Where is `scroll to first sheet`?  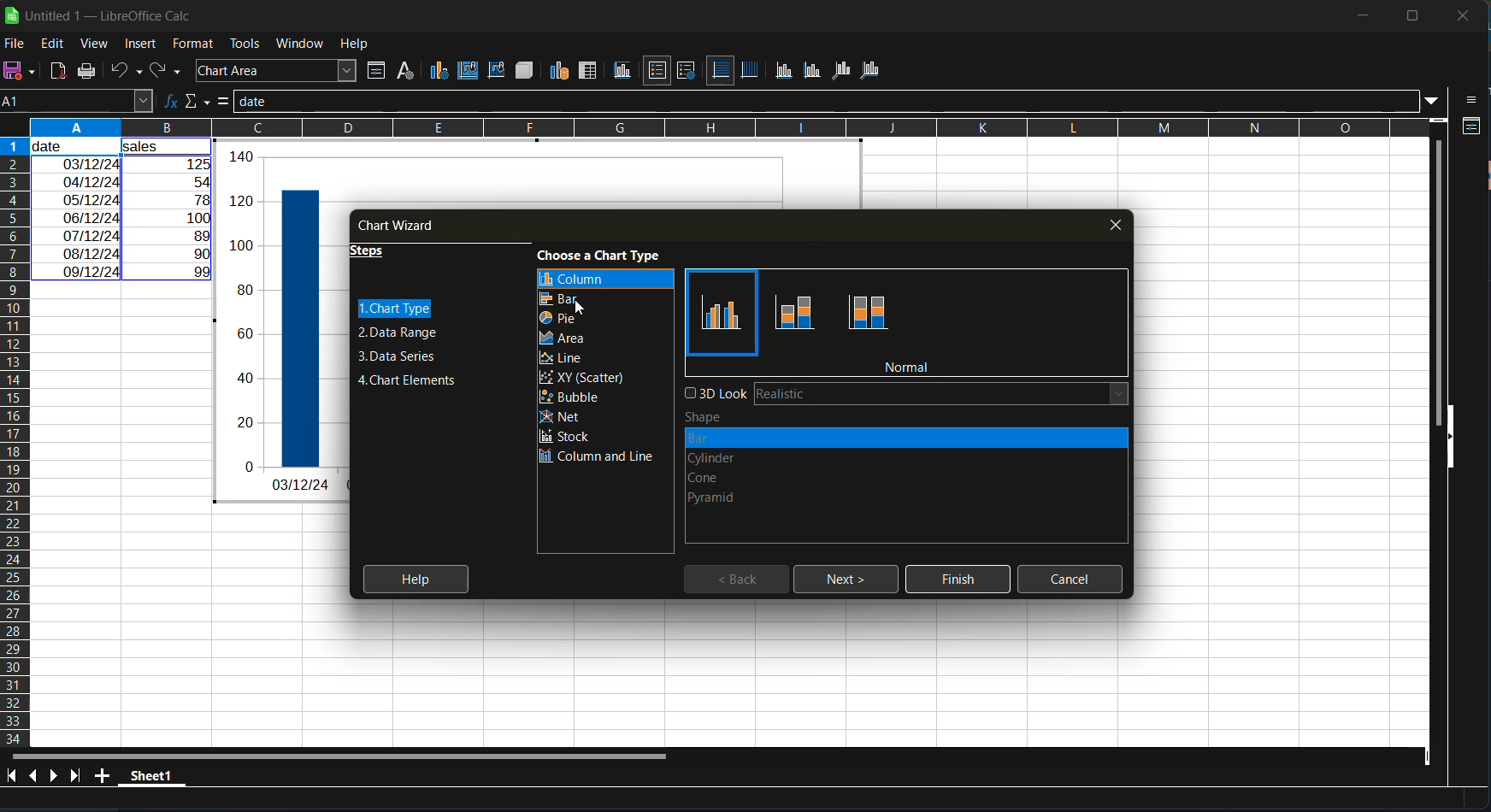
scroll to first sheet is located at coordinates (10, 775).